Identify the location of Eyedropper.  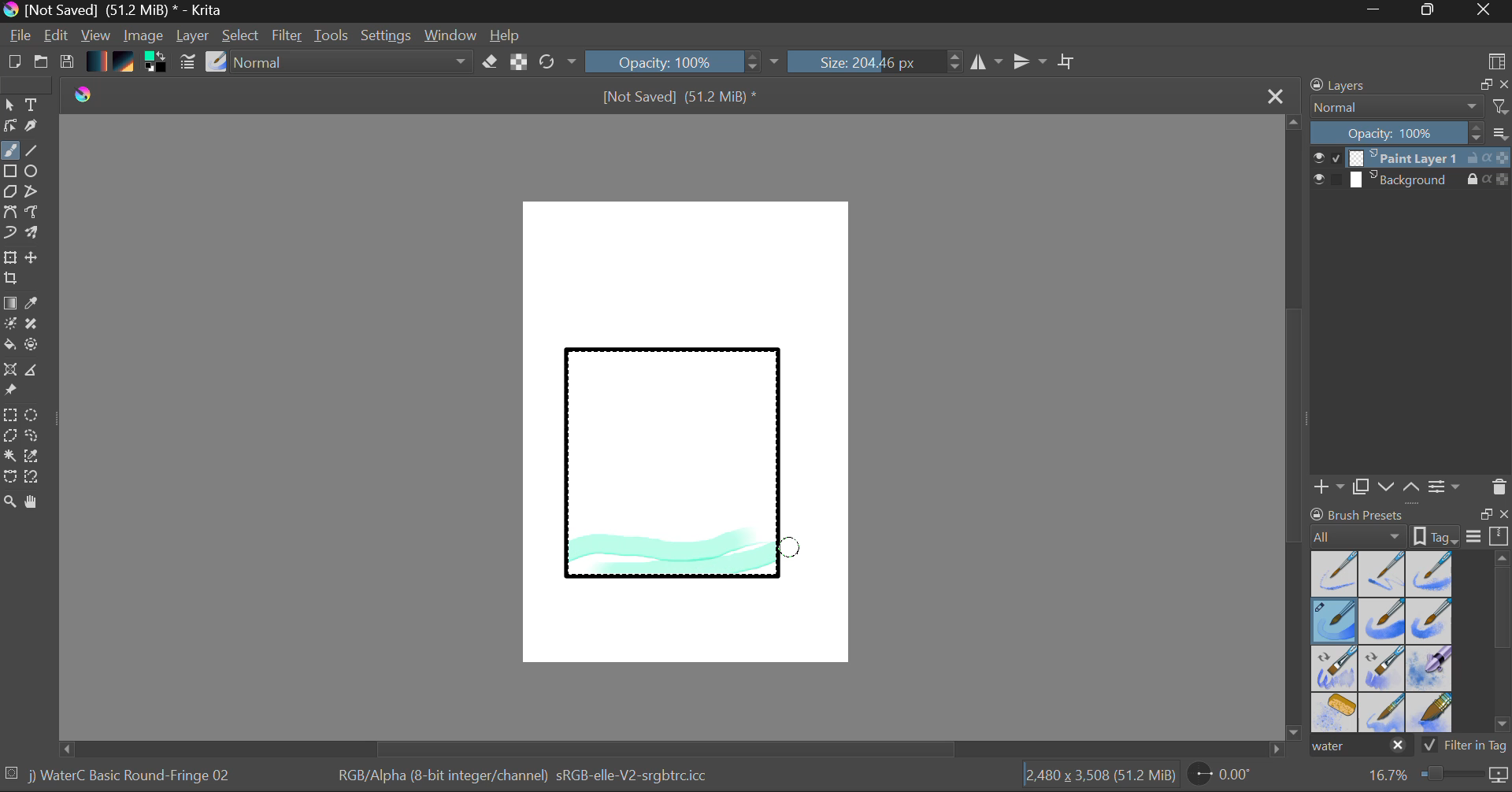
(35, 304).